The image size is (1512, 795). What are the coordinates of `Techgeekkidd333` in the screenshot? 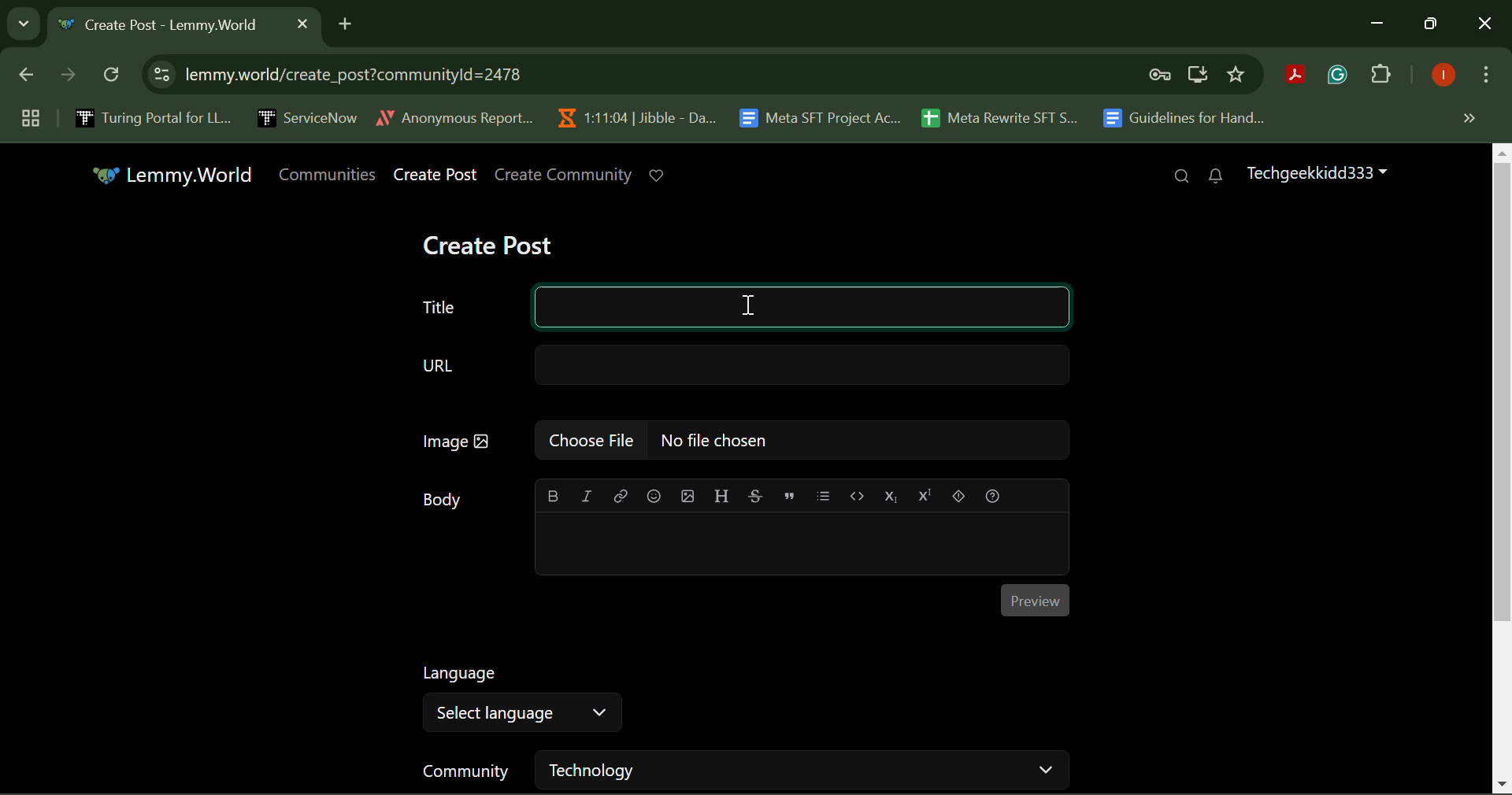 It's located at (1315, 172).